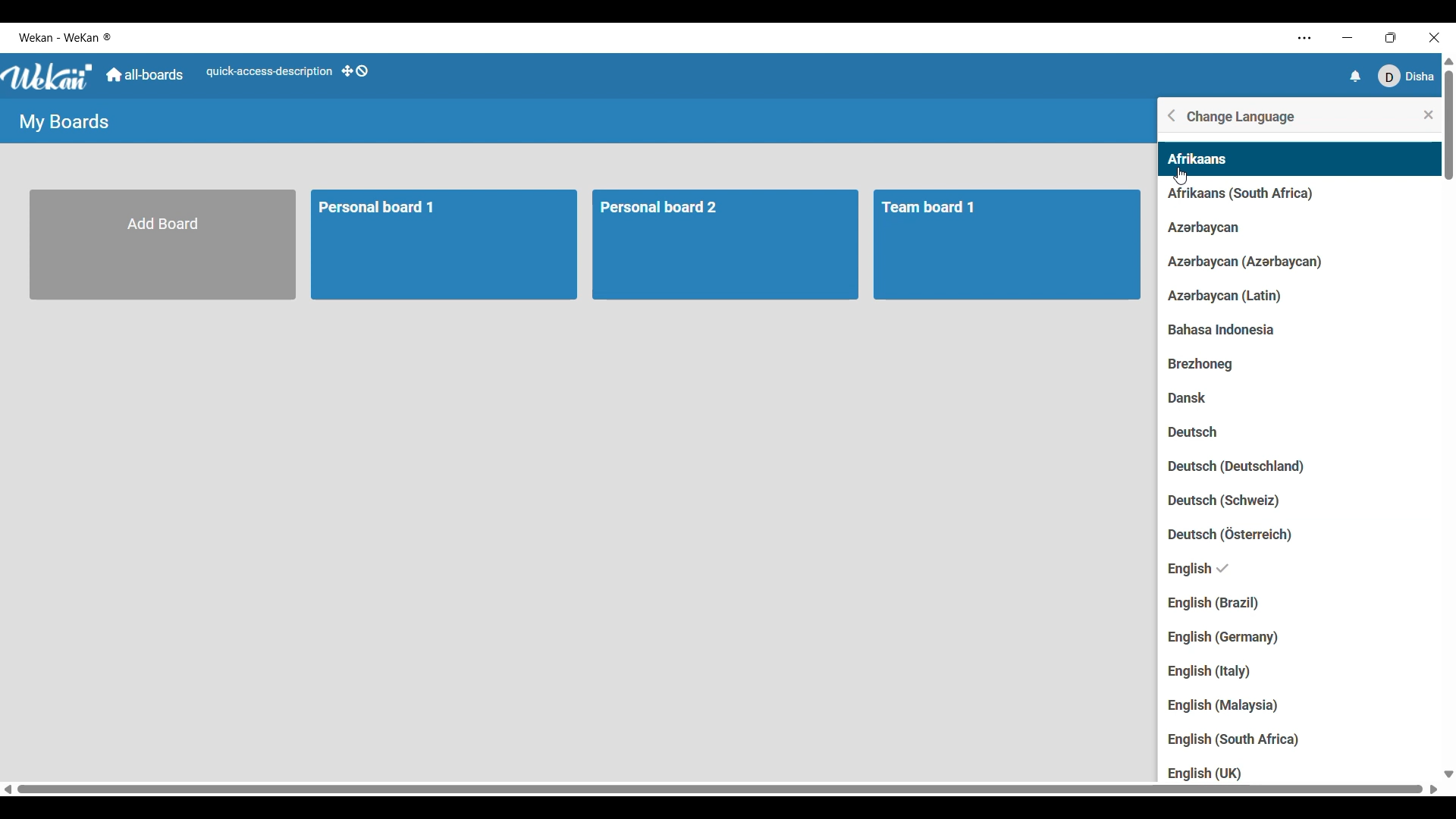 The image size is (1456, 819). Describe the element at coordinates (446, 246) in the screenshot. I see `Personal board 1` at that location.